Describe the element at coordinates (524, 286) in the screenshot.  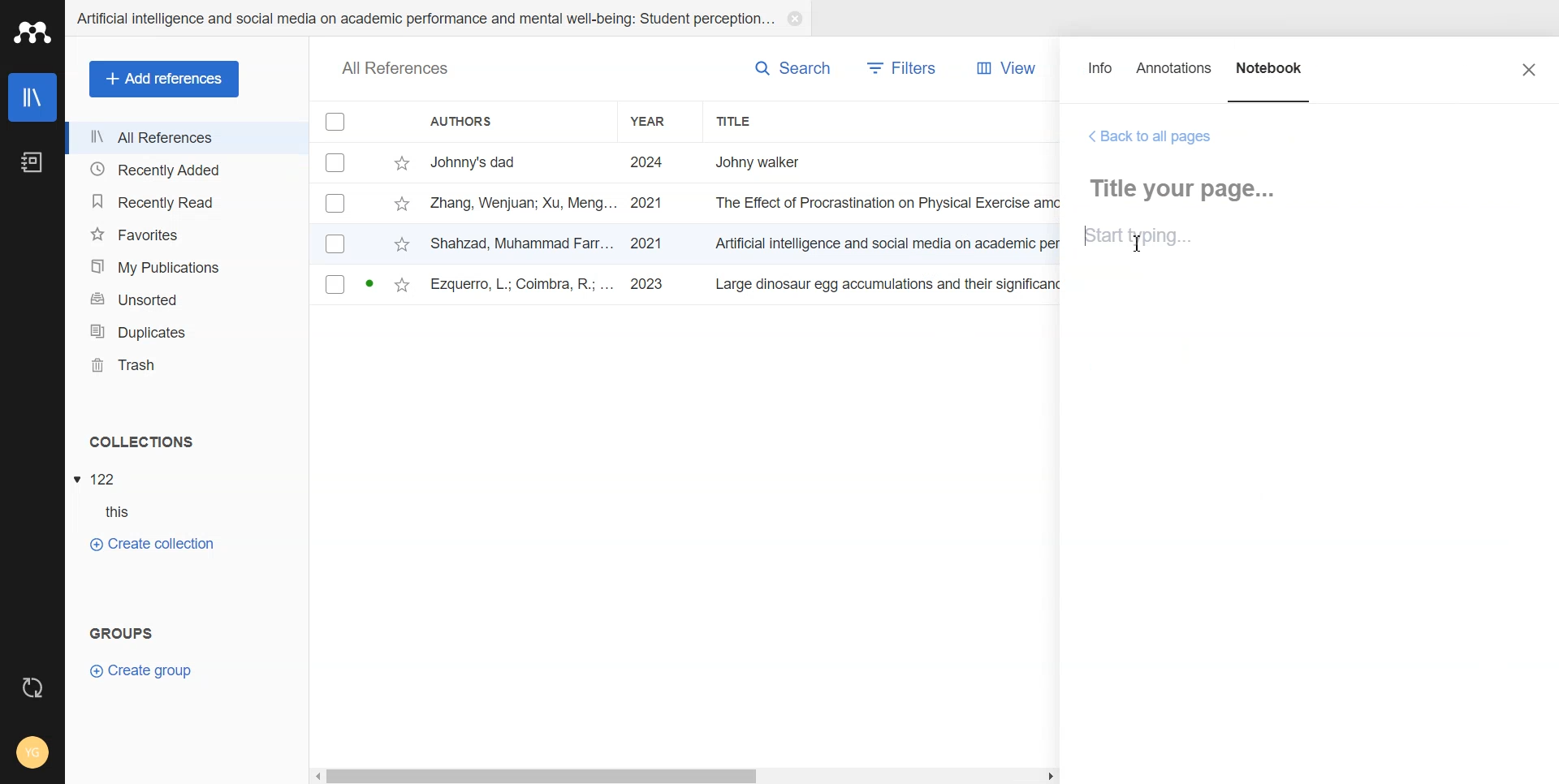
I see `ezquerro, l.; coimbra, r.; ...` at that location.